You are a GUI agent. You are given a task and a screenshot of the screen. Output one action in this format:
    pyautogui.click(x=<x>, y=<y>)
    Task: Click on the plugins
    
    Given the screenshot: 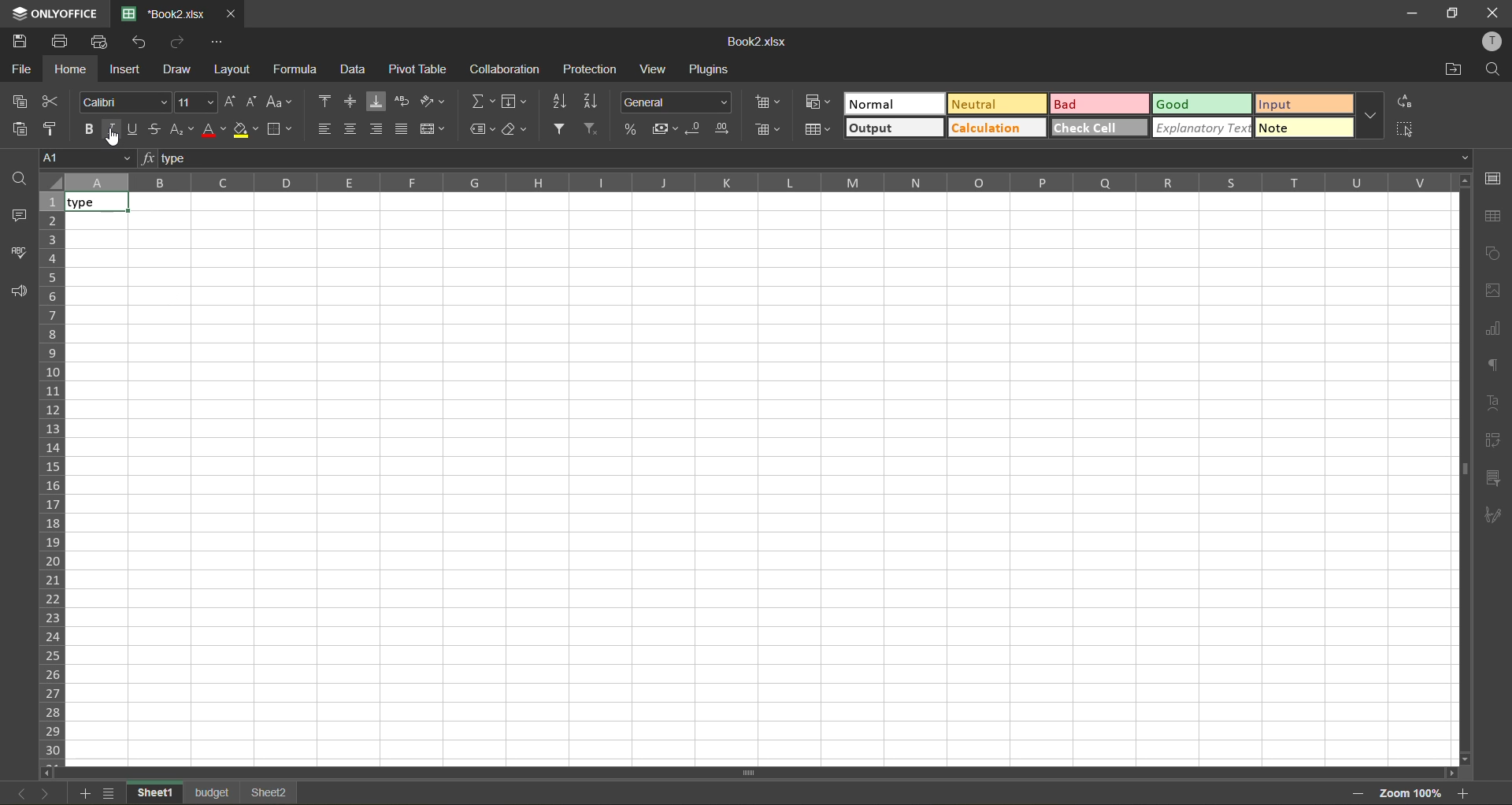 What is the action you would take?
    pyautogui.click(x=712, y=70)
    